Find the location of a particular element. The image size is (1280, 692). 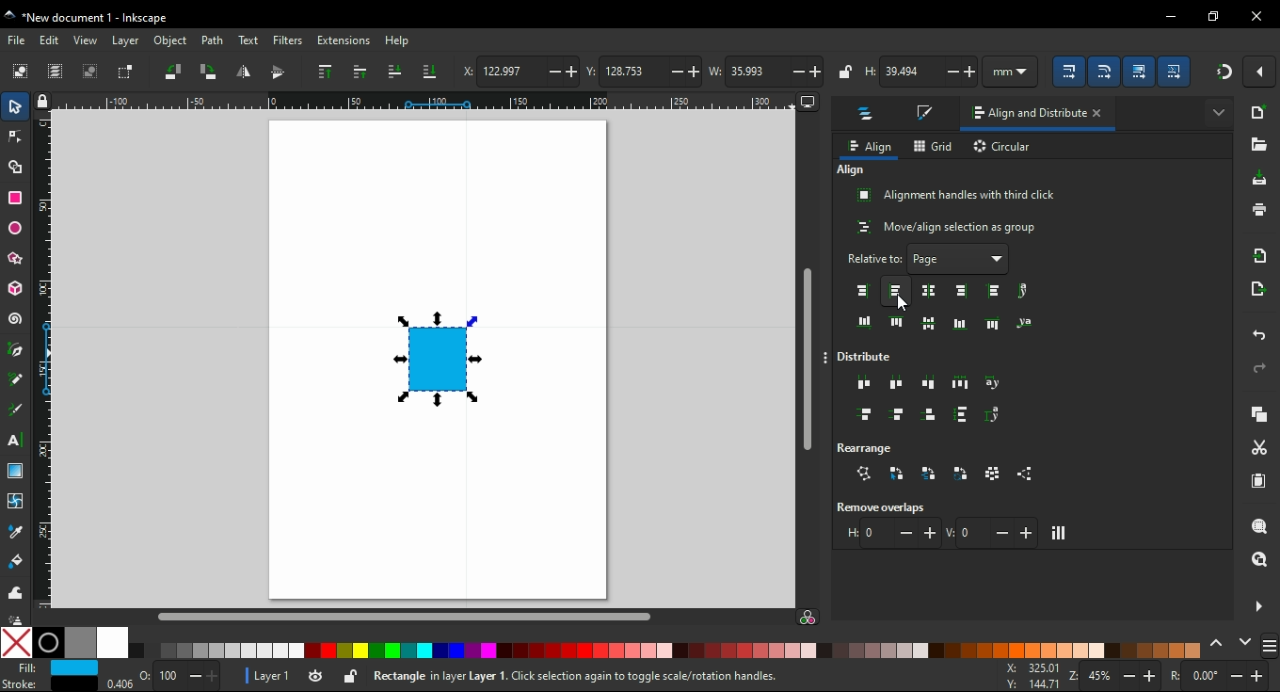

object rotate 90 CCW is located at coordinates (176, 71).